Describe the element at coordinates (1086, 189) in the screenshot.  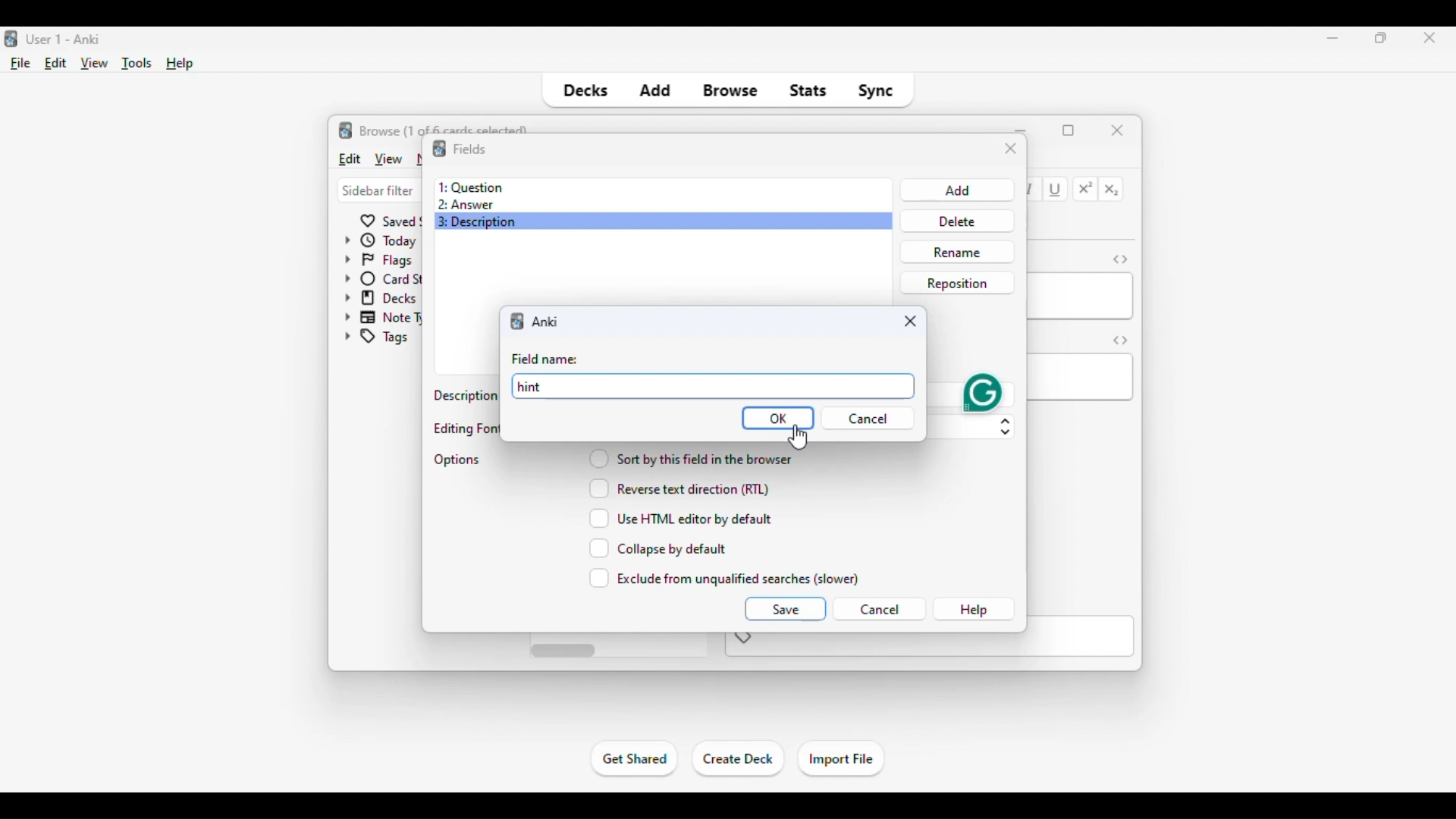
I see `superscript` at that location.